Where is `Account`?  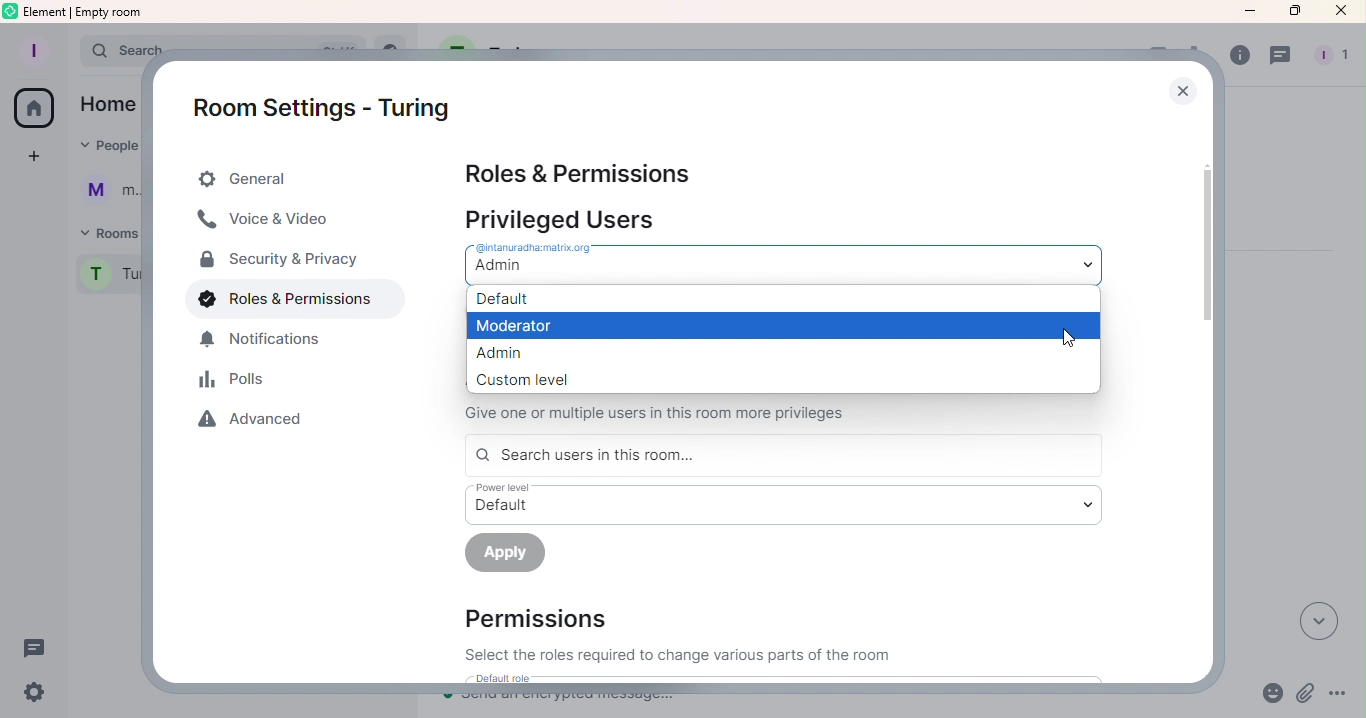 Account is located at coordinates (39, 48).